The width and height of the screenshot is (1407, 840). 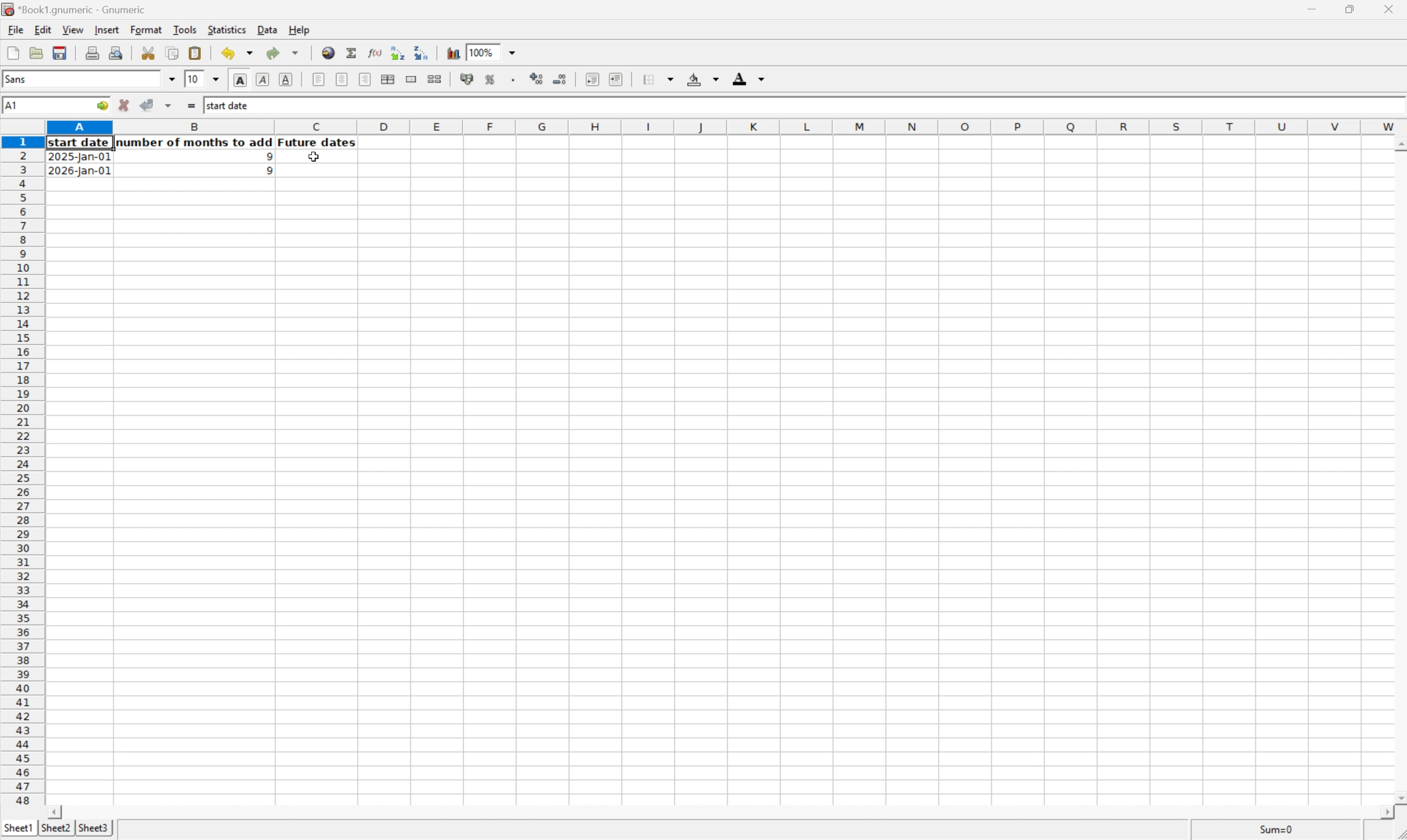 I want to click on Accept changes, so click(x=148, y=105).